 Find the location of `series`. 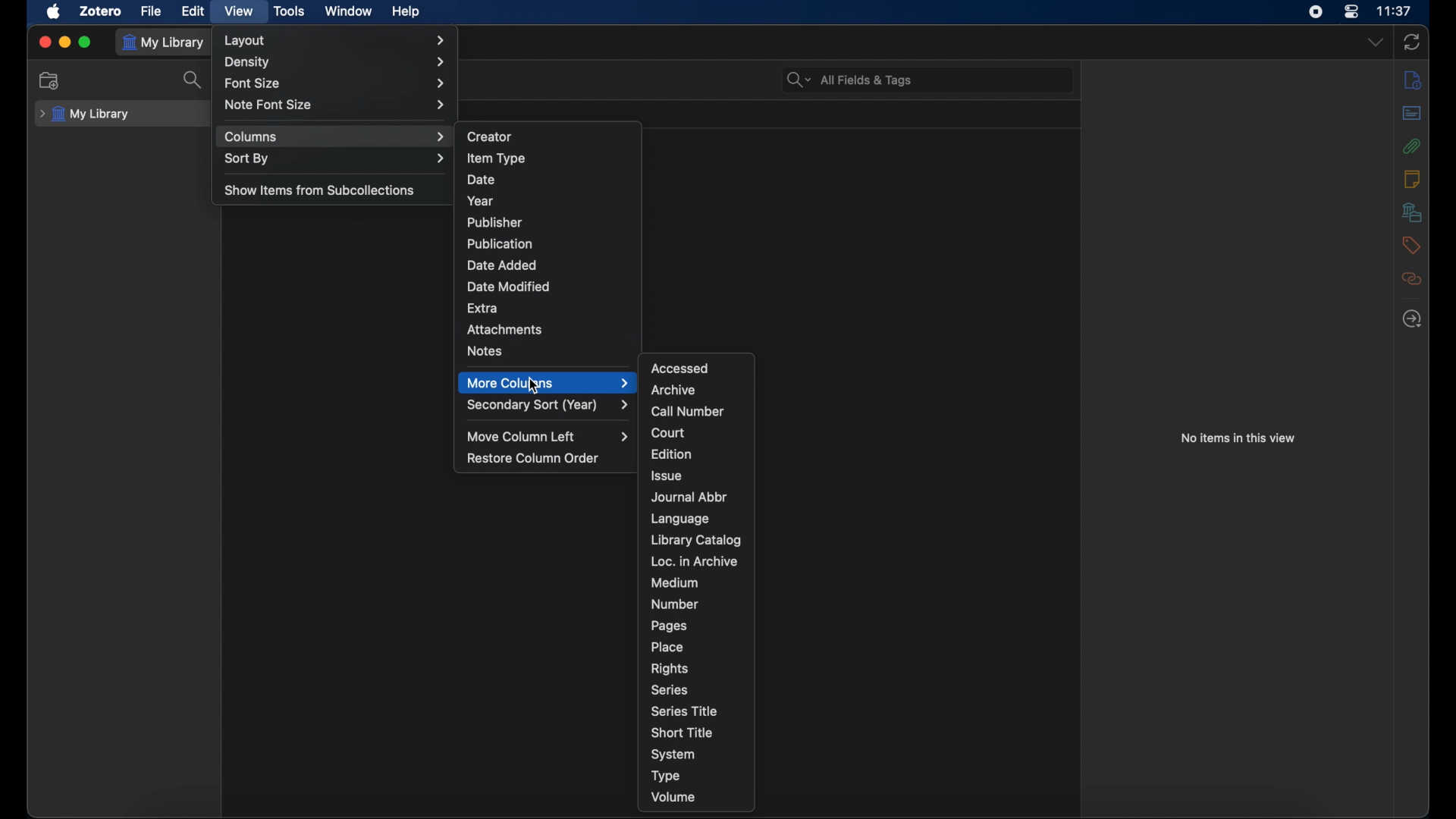

series is located at coordinates (670, 690).